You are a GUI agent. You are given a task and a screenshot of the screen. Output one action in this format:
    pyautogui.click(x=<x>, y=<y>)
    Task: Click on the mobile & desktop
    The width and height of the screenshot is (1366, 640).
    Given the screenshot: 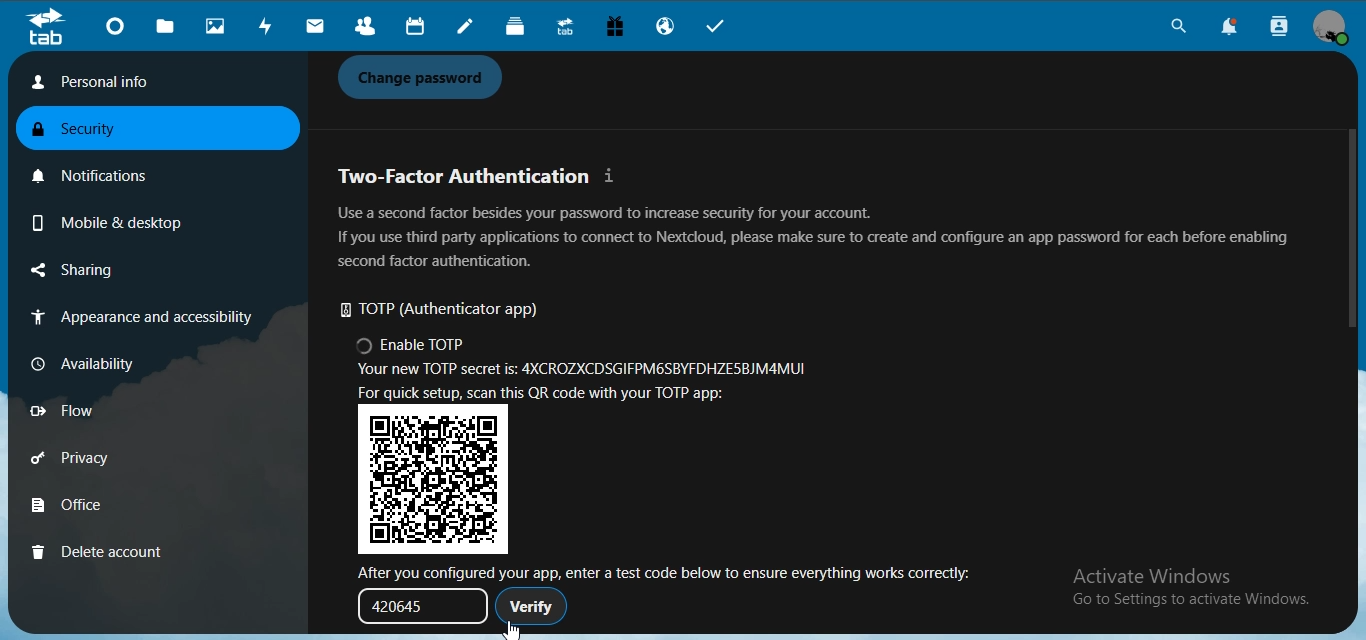 What is the action you would take?
    pyautogui.click(x=104, y=219)
    